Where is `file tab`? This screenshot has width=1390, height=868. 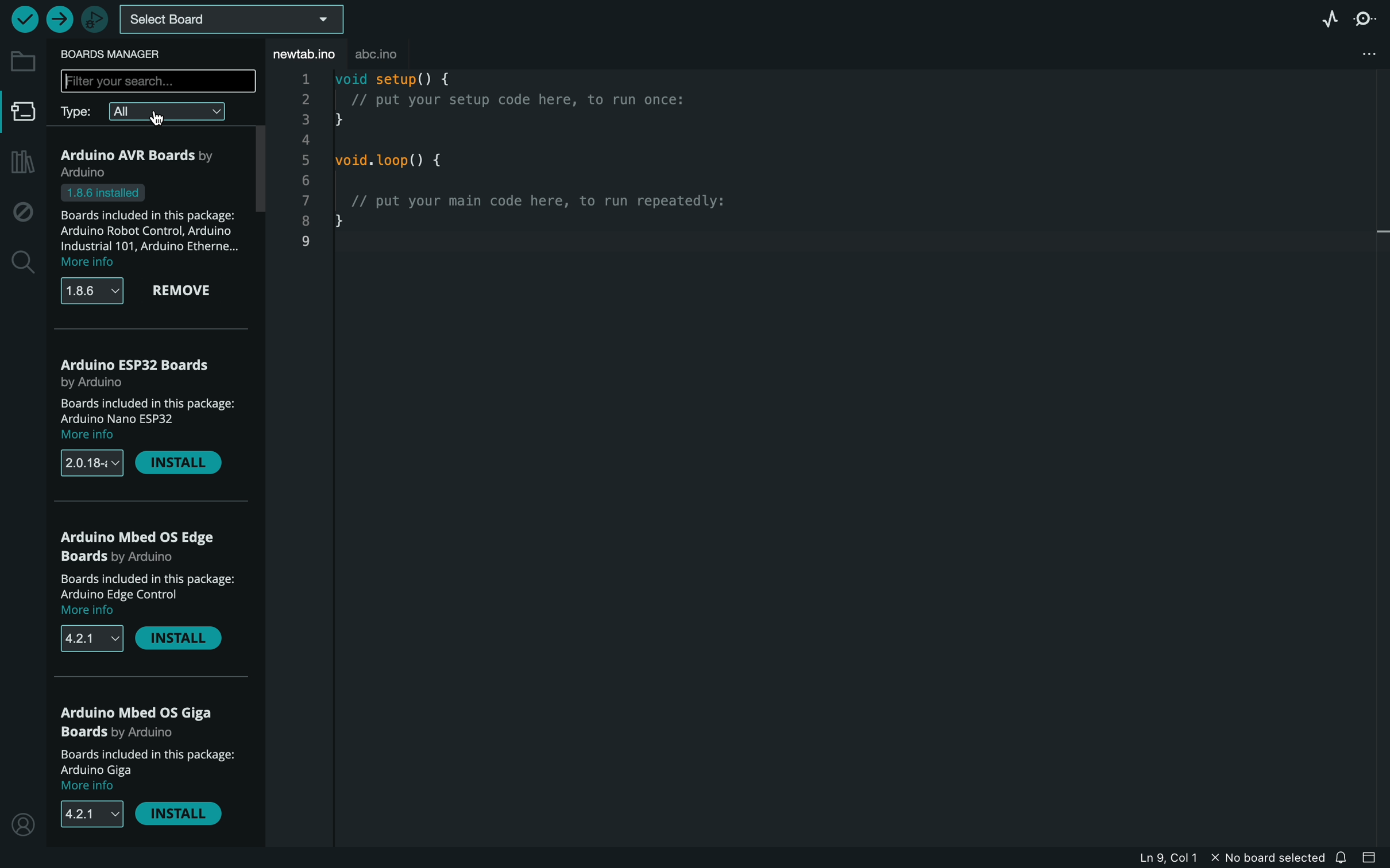 file tab is located at coordinates (302, 53).